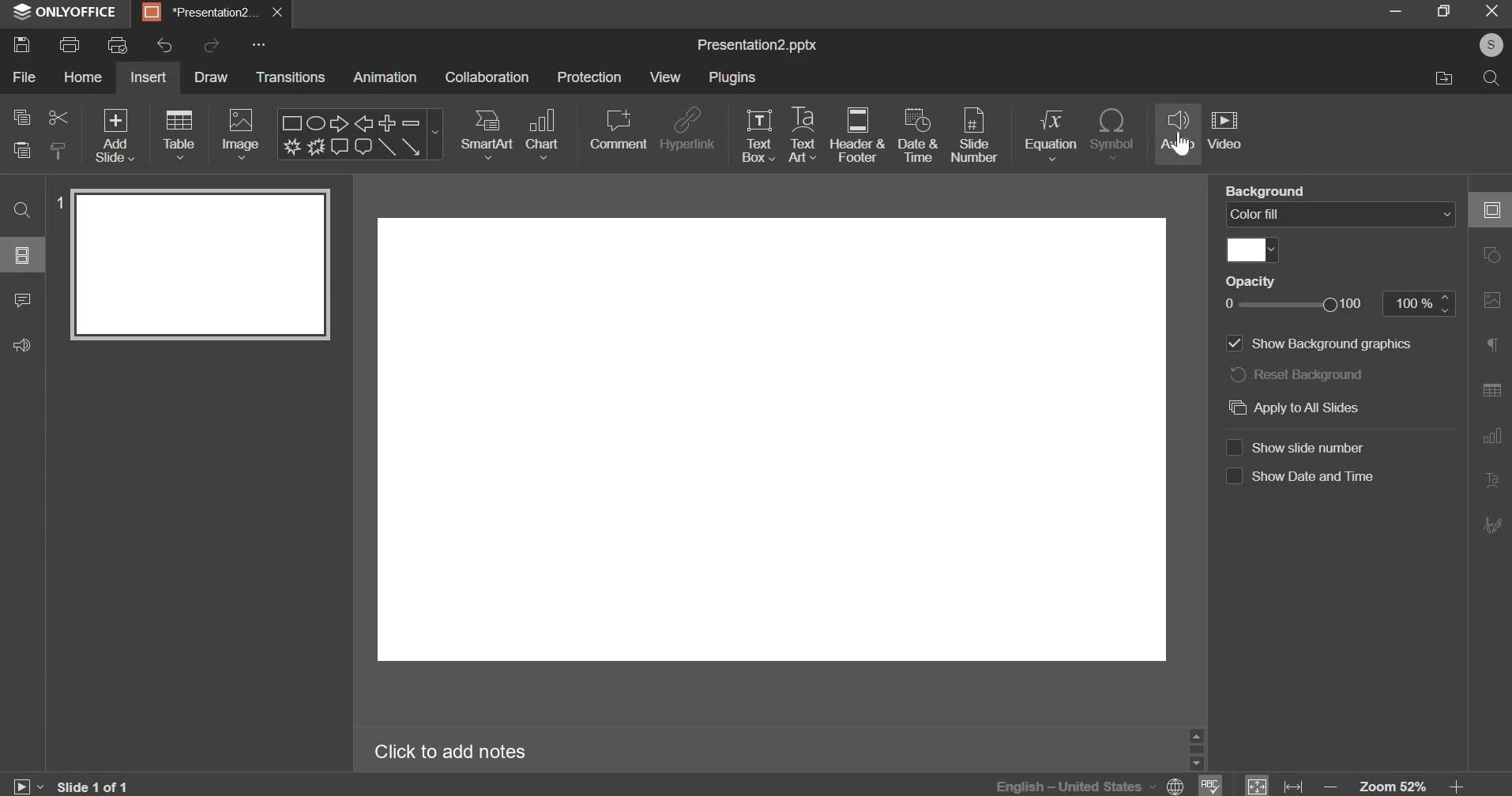 This screenshot has width=1512, height=796. What do you see at coordinates (918, 134) in the screenshot?
I see `date & time` at bounding box center [918, 134].